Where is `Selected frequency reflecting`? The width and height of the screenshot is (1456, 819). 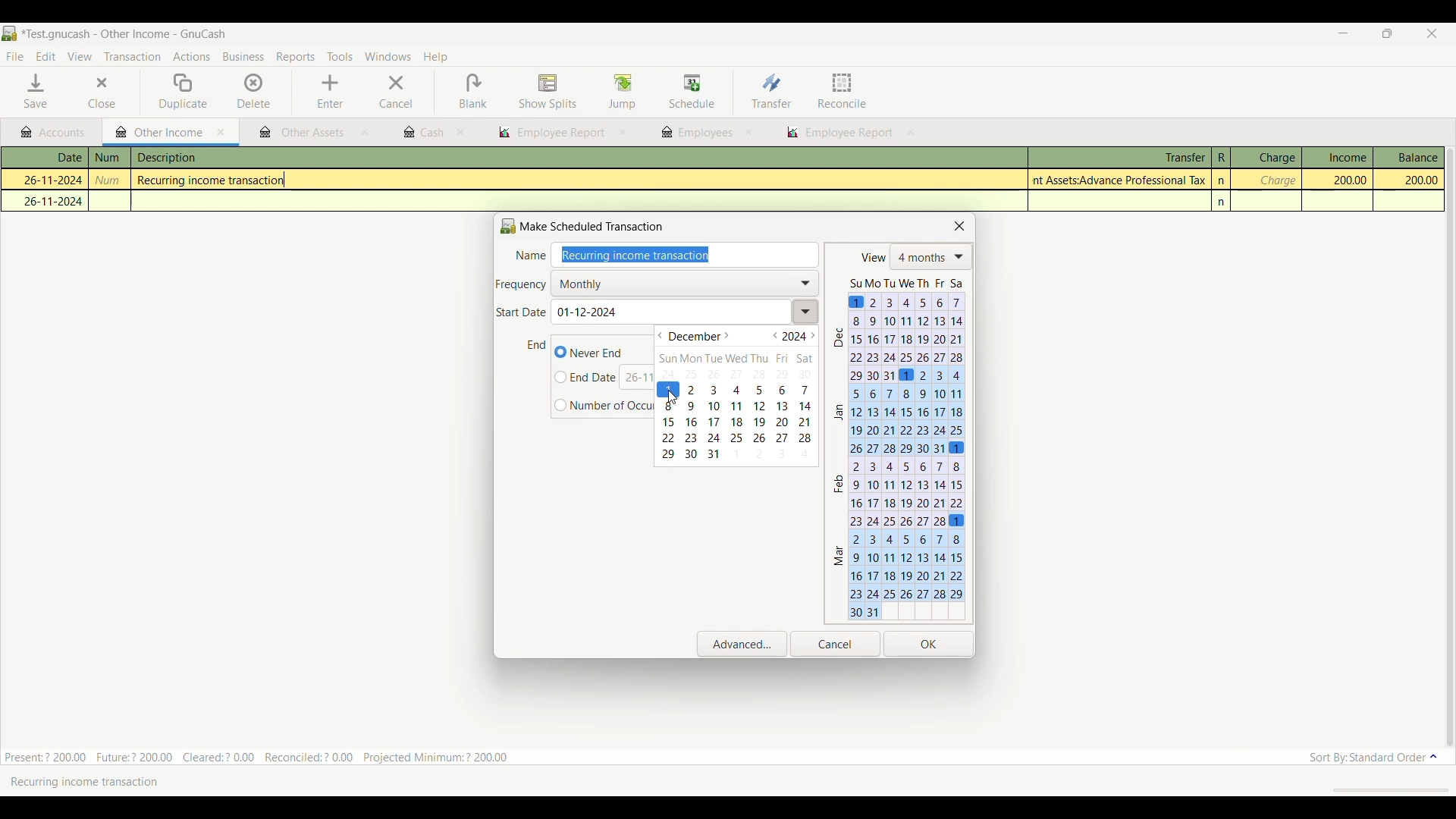 Selected frequency reflecting is located at coordinates (689, 283).